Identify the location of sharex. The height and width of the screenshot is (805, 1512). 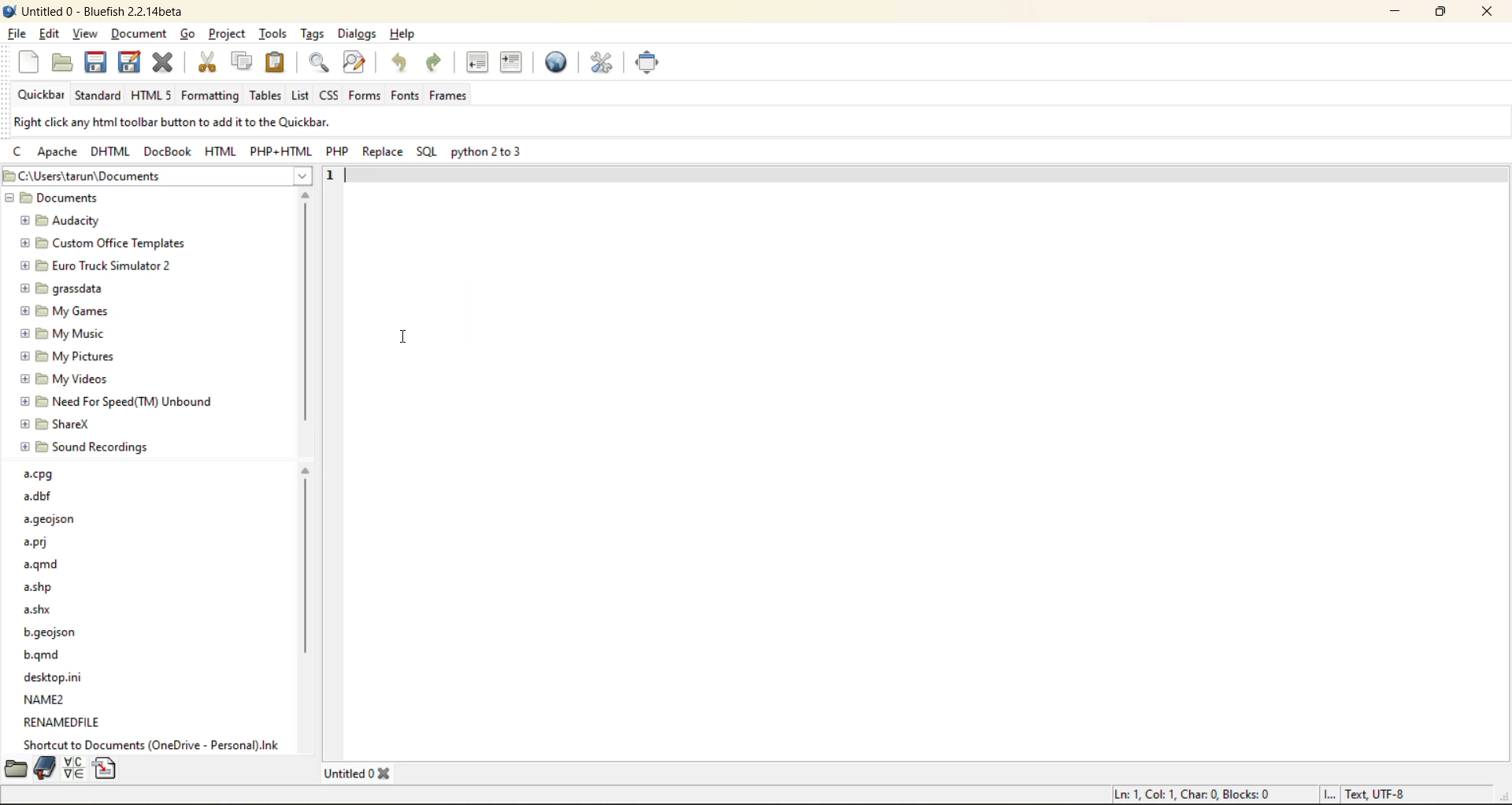
(57, 425).